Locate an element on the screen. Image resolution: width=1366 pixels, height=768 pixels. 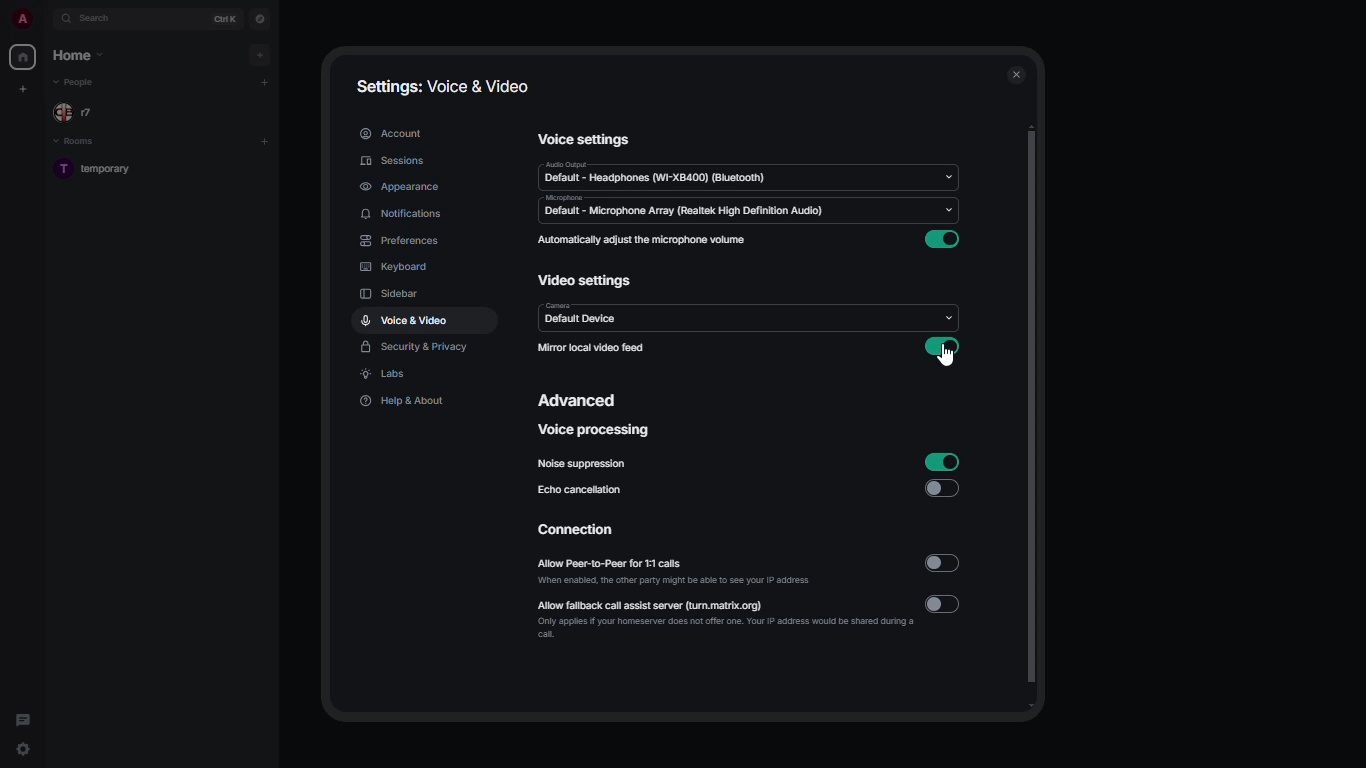
home is located at coordinates (80, 55).